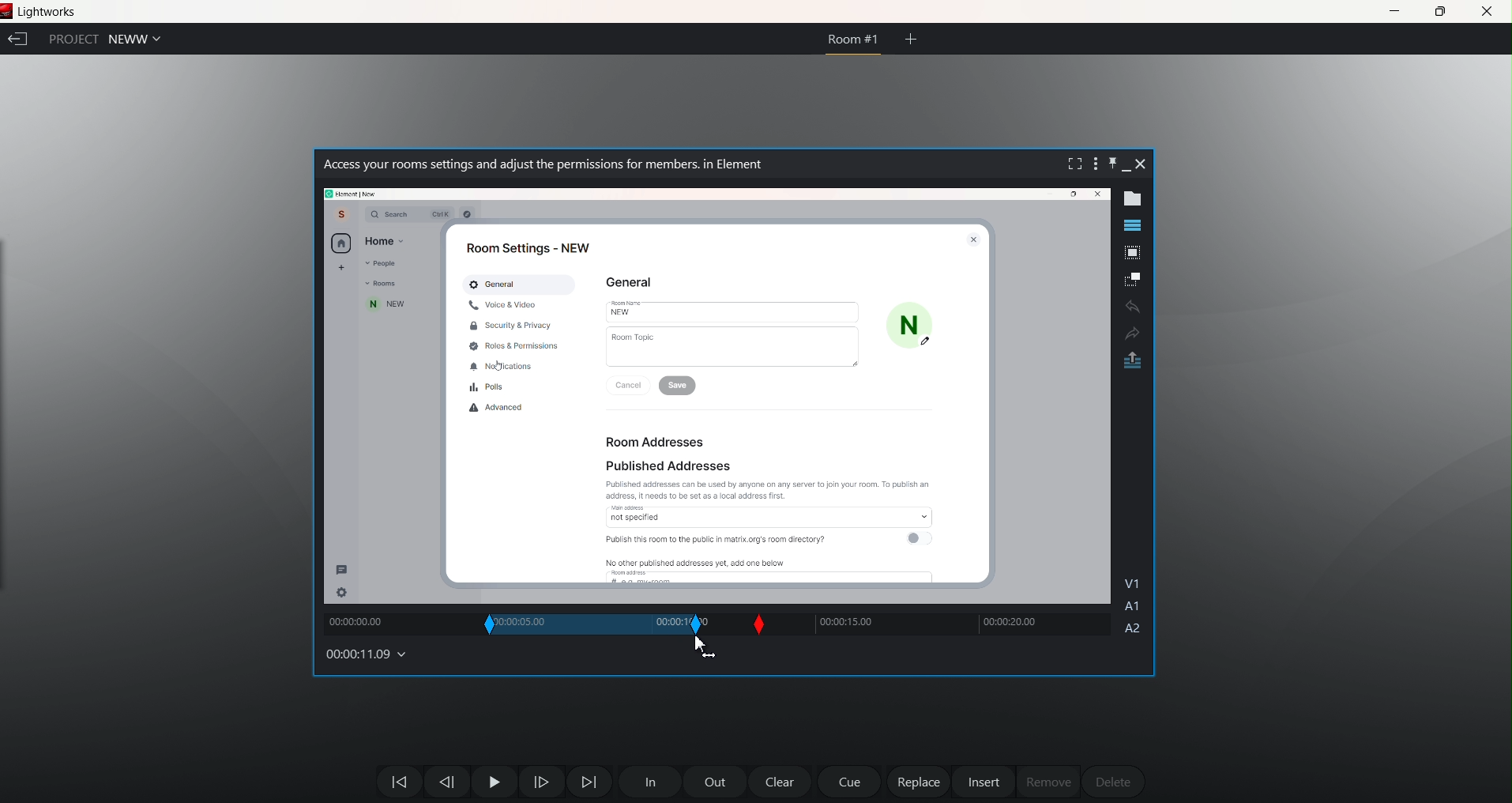 This screenshot has width=1512, height=803. What do you see at coordinates (504, 366) in the screenshot?
I see `Notifications` at bounding box center [504, 366].